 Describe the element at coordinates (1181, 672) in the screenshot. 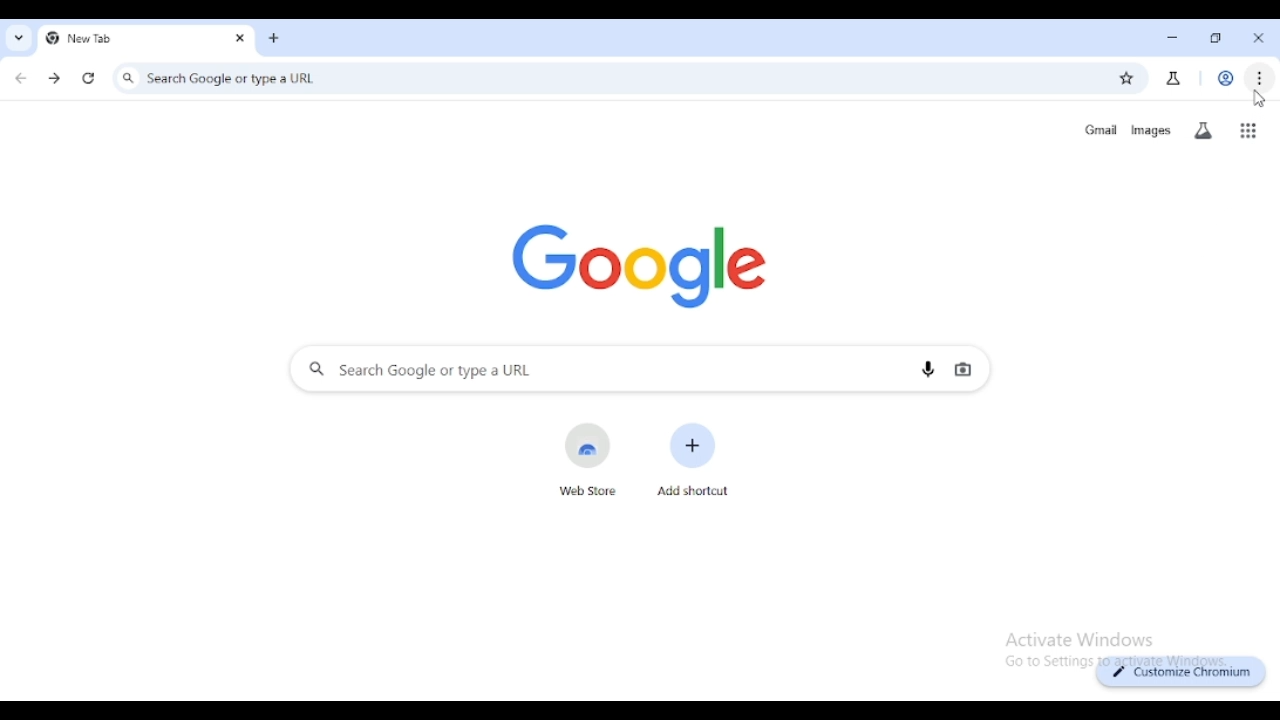

I see `customize chromium` at that location.